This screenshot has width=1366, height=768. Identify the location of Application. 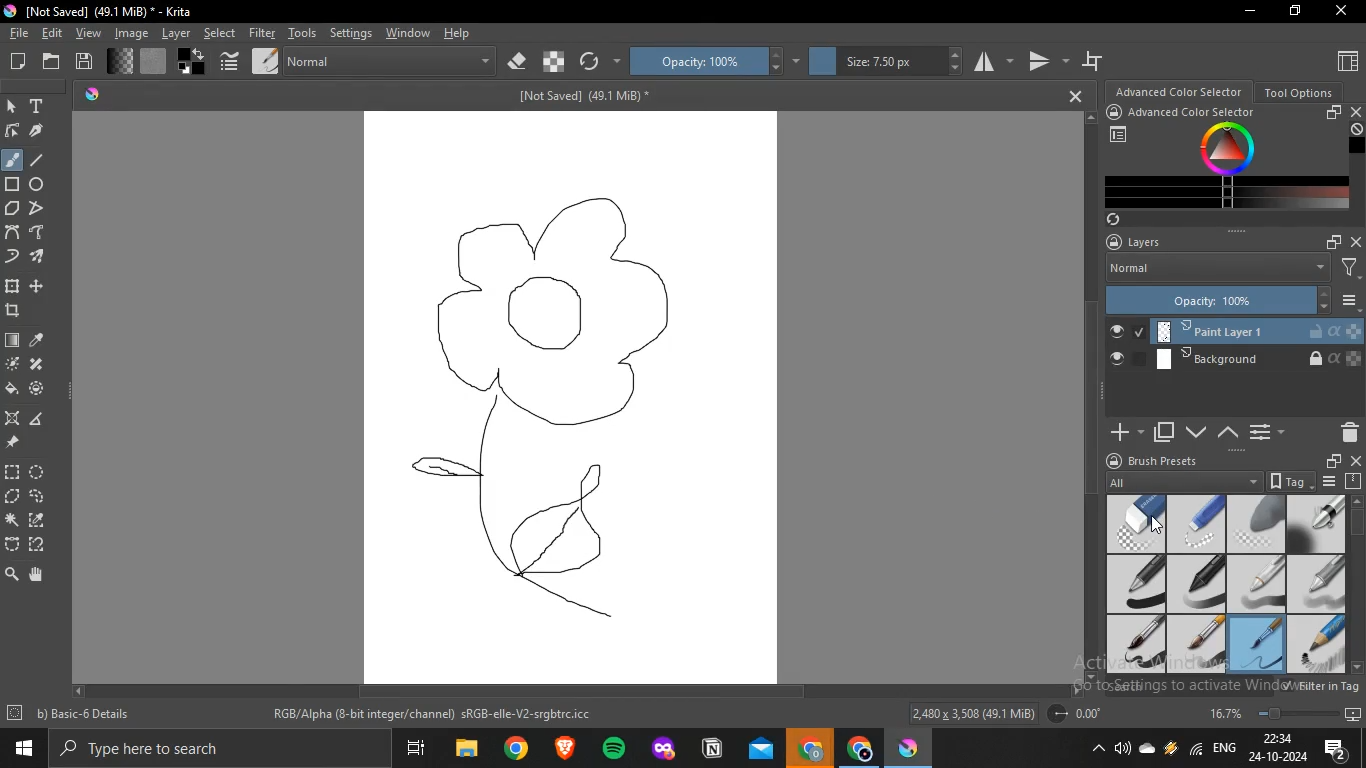
(566, 747).